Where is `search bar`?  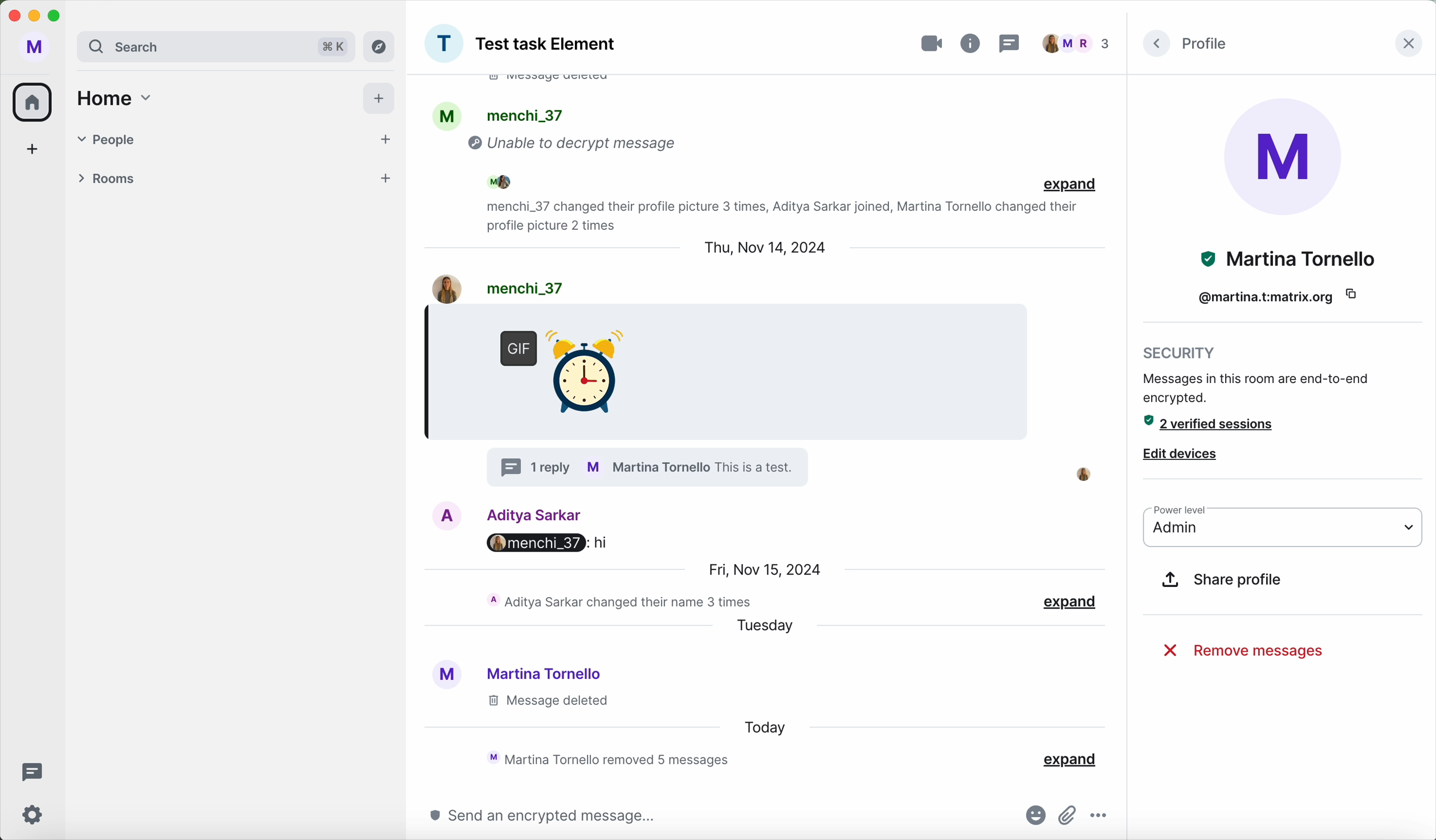 search bar is located at coordinates (180, 46).